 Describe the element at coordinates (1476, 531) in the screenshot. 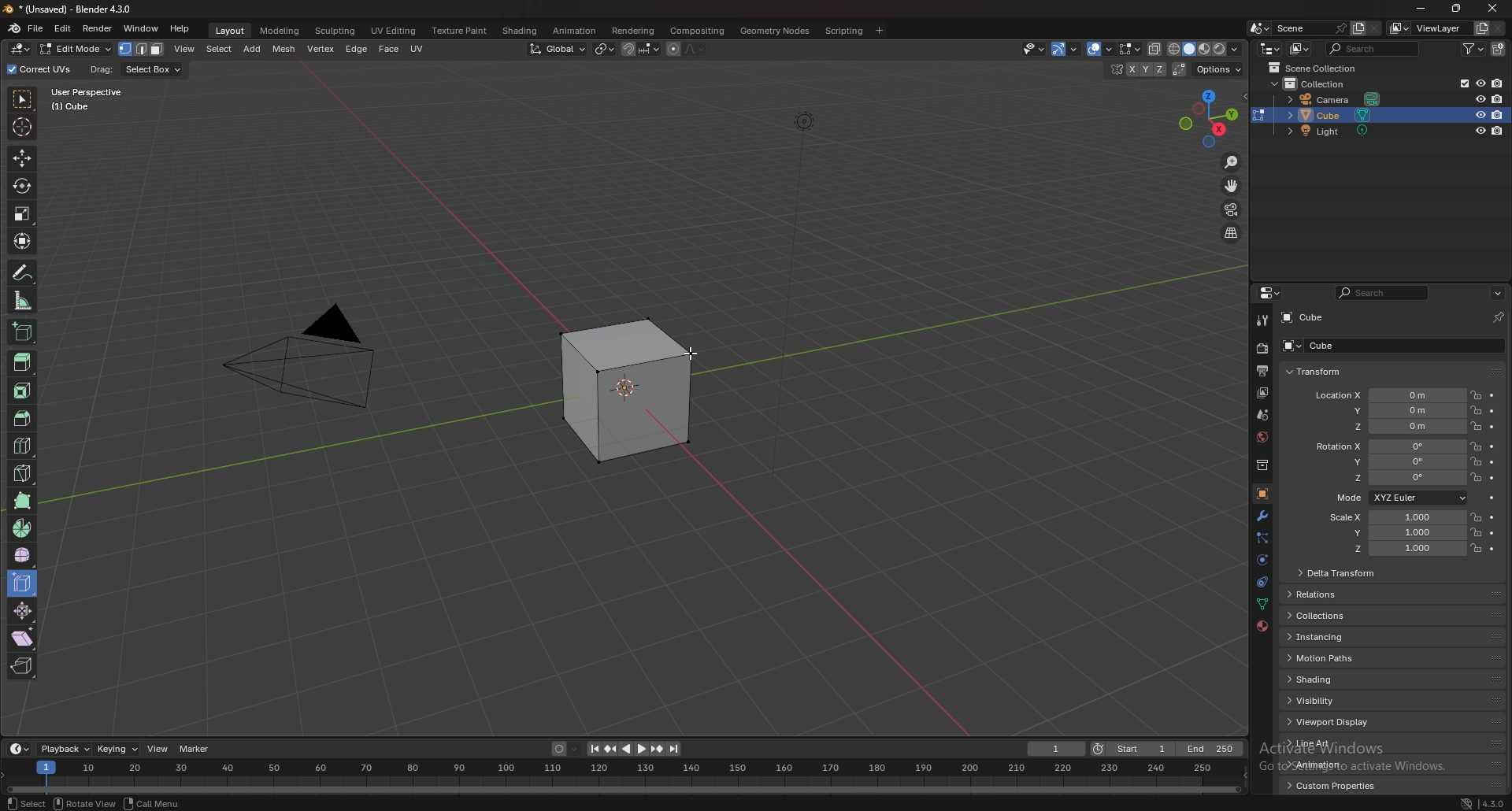

I see `lock` at that location.